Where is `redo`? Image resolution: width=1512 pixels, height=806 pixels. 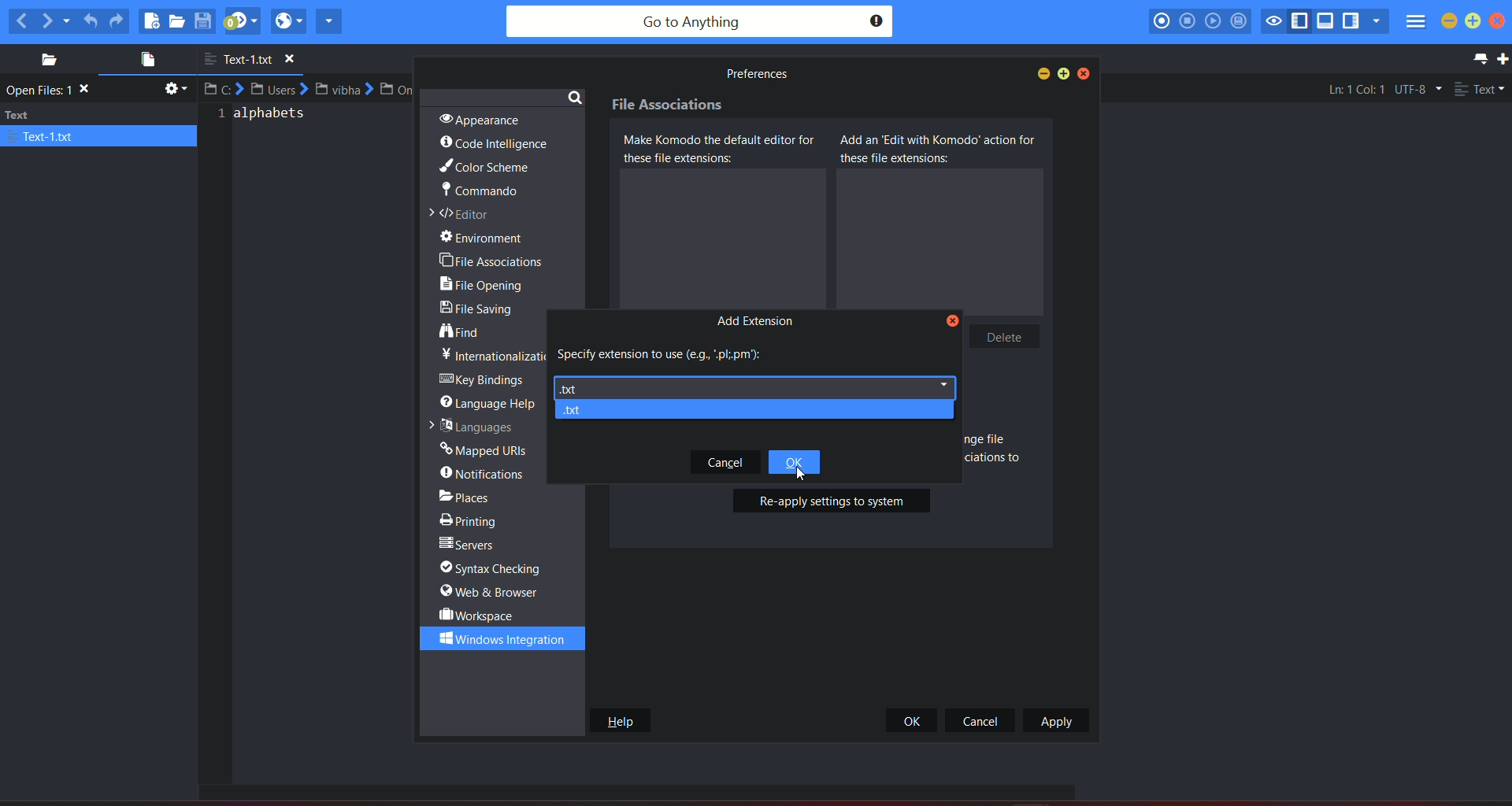 redo is located at coordinates (117, 20).